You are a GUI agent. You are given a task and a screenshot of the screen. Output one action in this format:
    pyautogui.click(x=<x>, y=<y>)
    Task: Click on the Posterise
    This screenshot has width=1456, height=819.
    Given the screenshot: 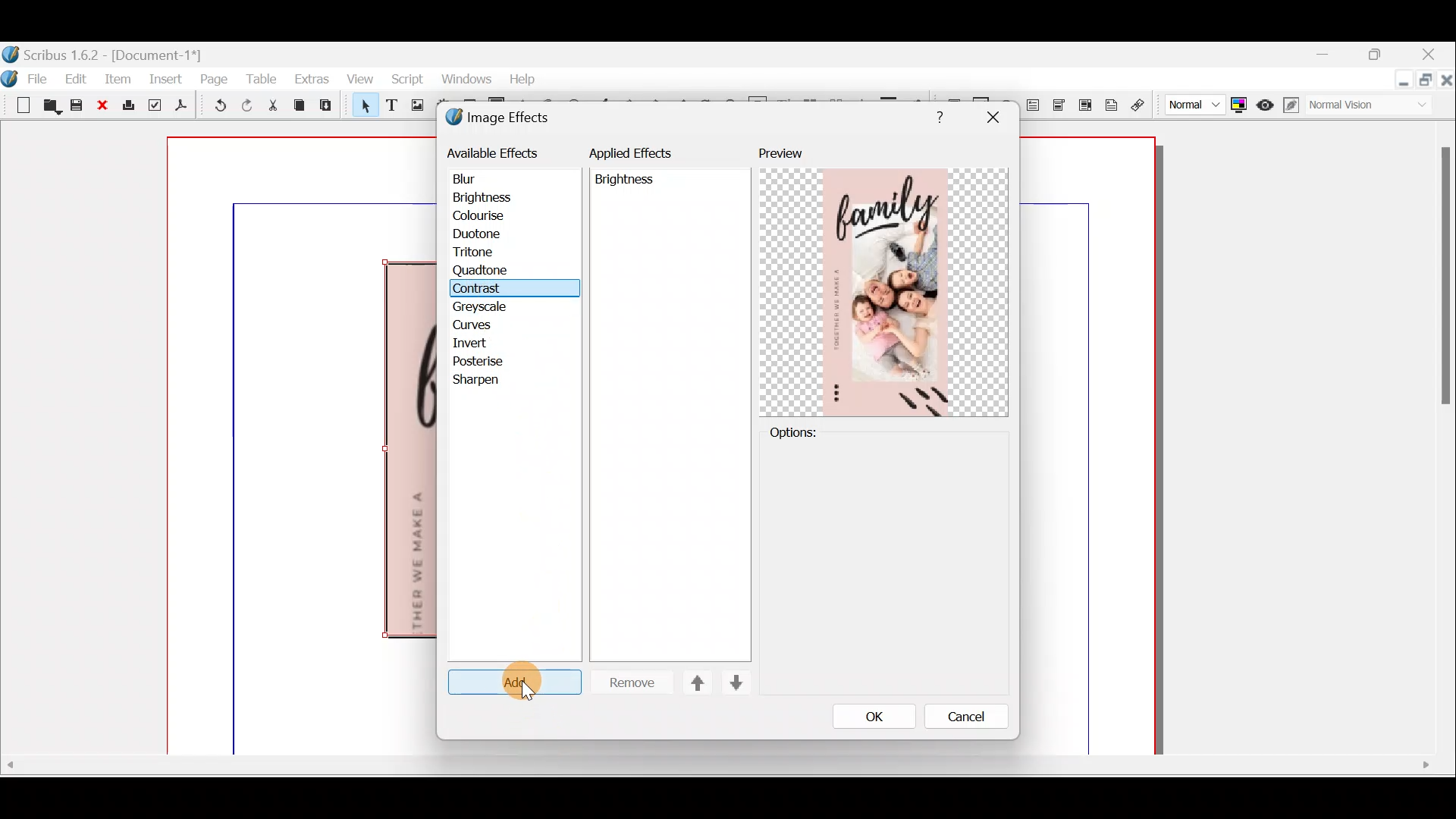 What is the action you would take?
    pyautogui.click(x=488, y=361)
    